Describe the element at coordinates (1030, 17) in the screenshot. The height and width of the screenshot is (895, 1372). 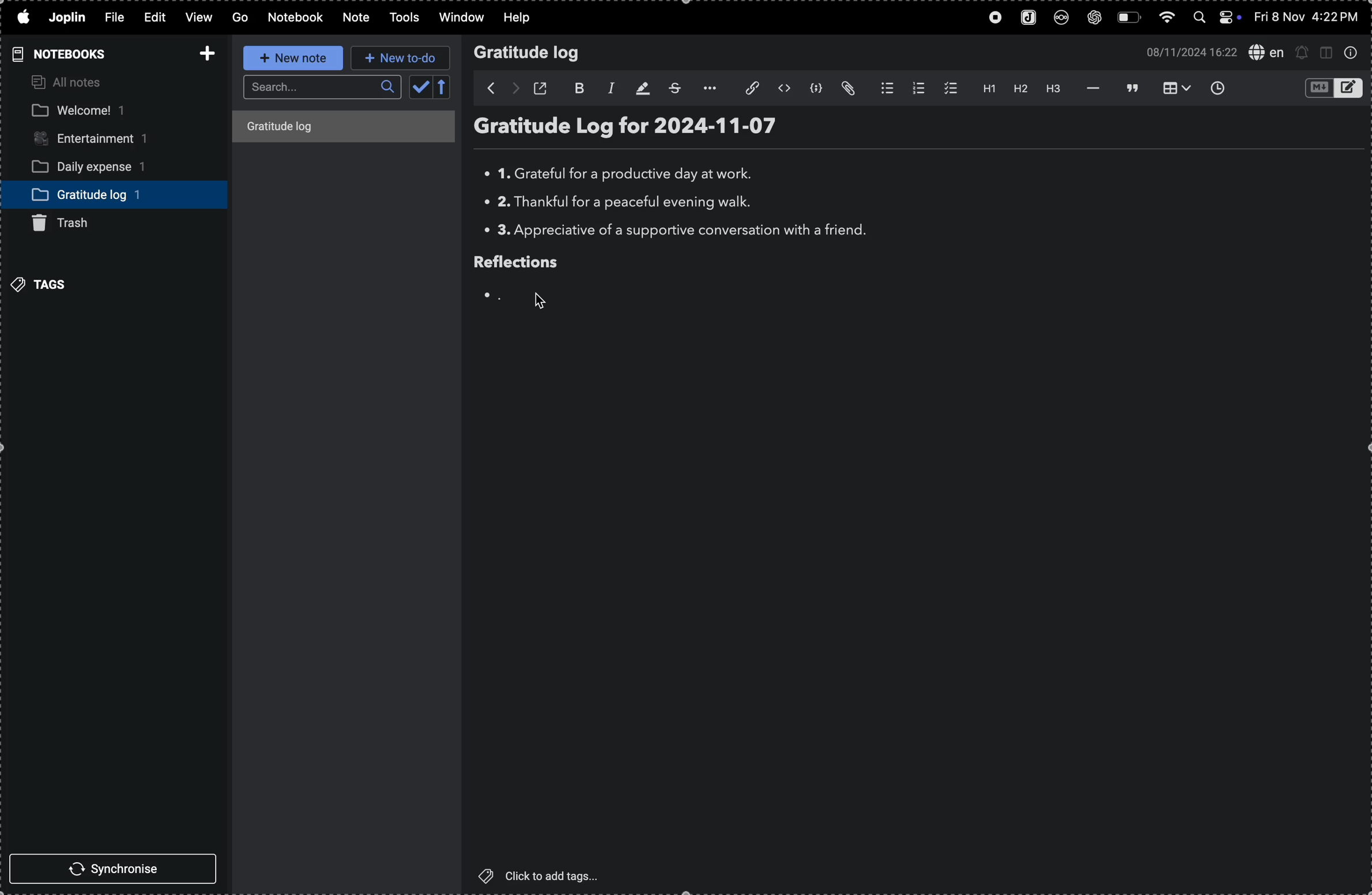
I see `joplin` at that location.